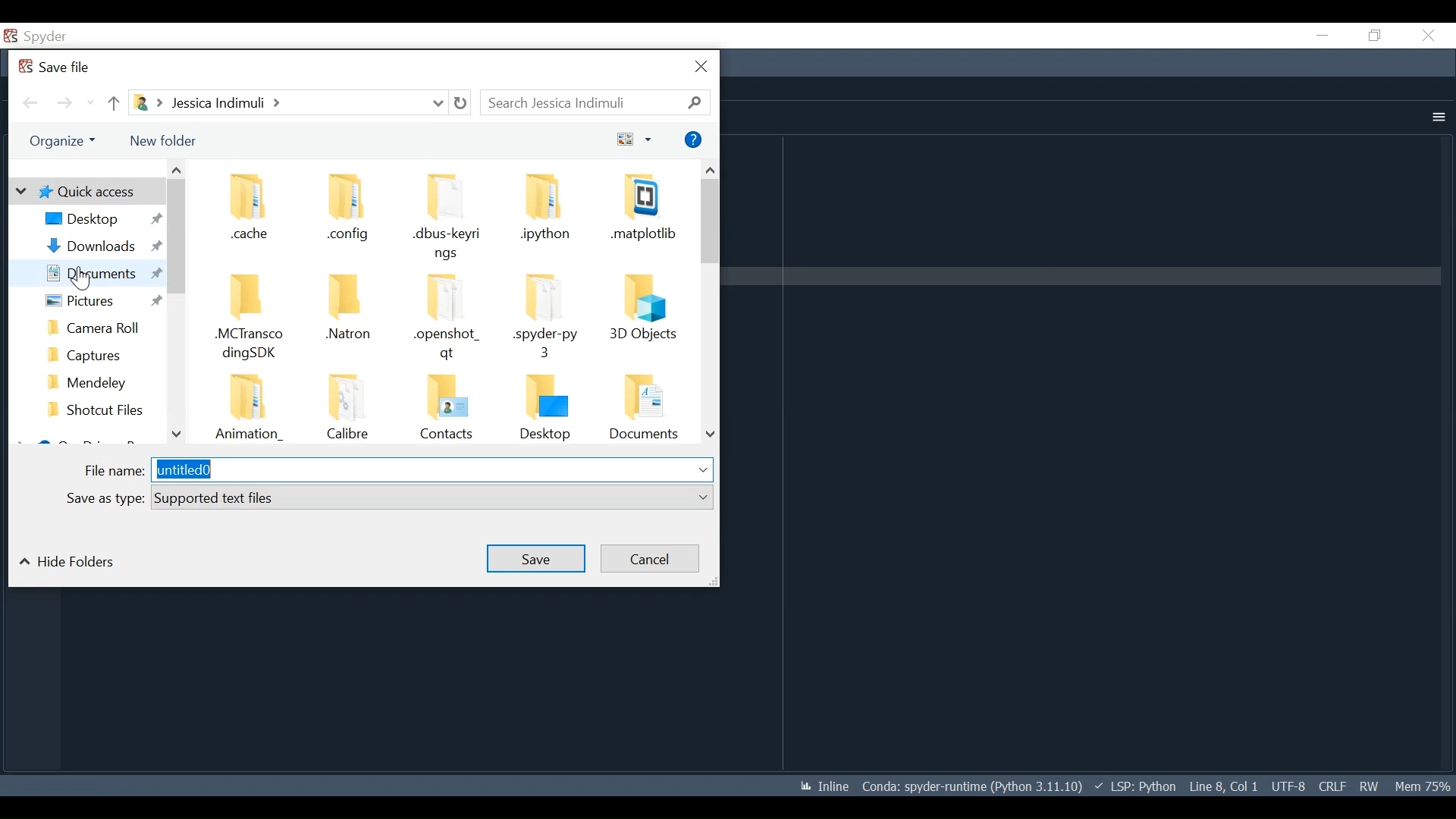  Describe the element at coordinates (253, 209) in the screenshot. I see `.cache` at that location.